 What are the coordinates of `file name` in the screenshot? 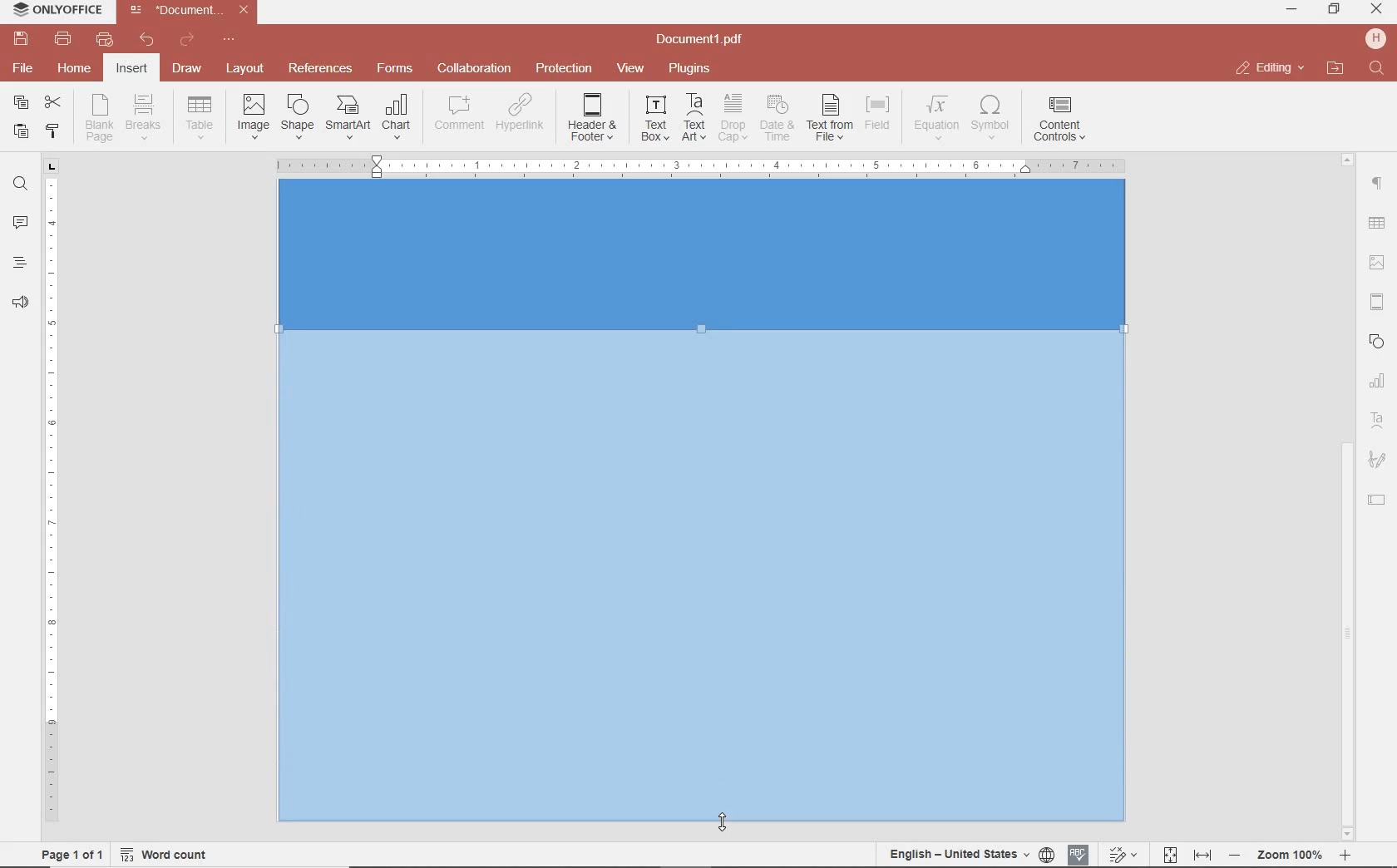 It's located at (704, 40).